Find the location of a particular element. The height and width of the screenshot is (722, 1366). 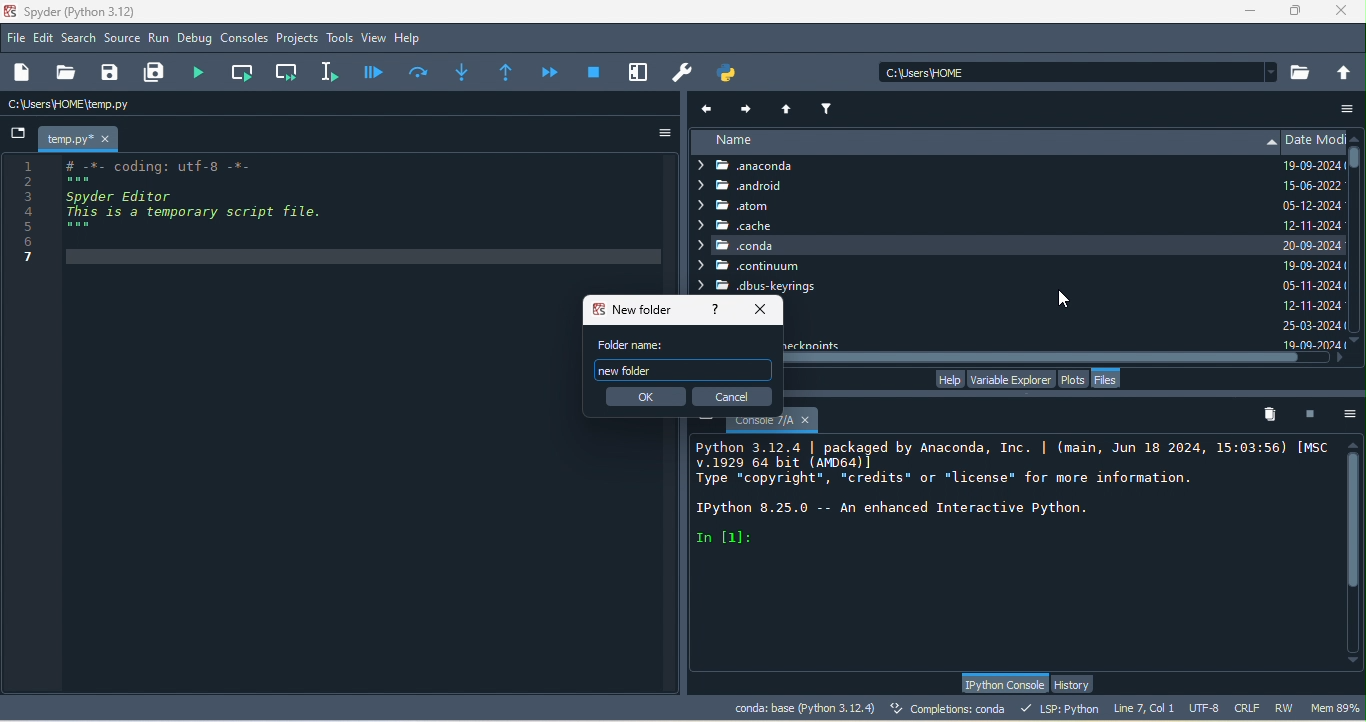

men 91% is located at coordinates (1338, 707).